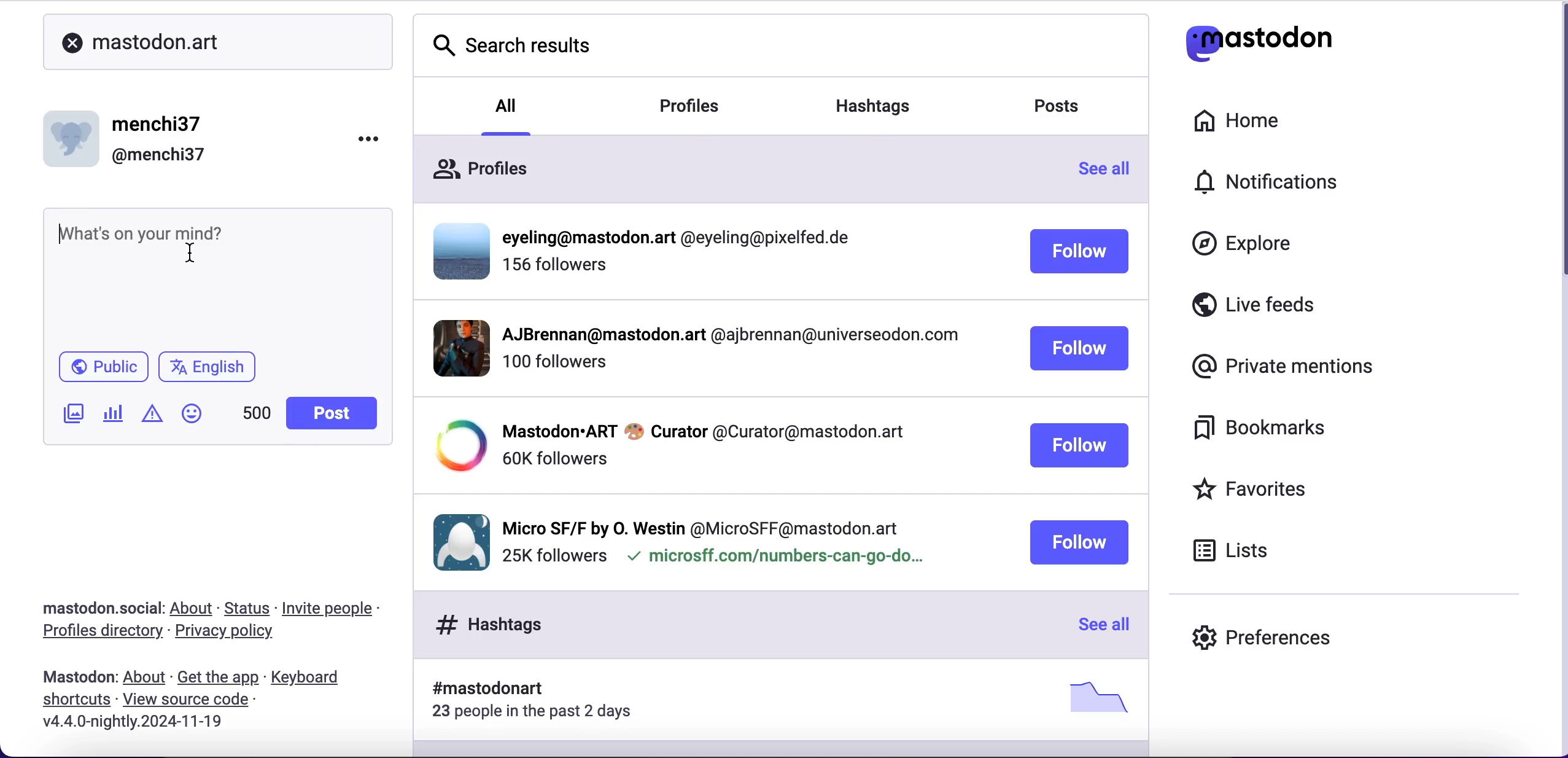  I want to click on user profile, so click(724, 348).